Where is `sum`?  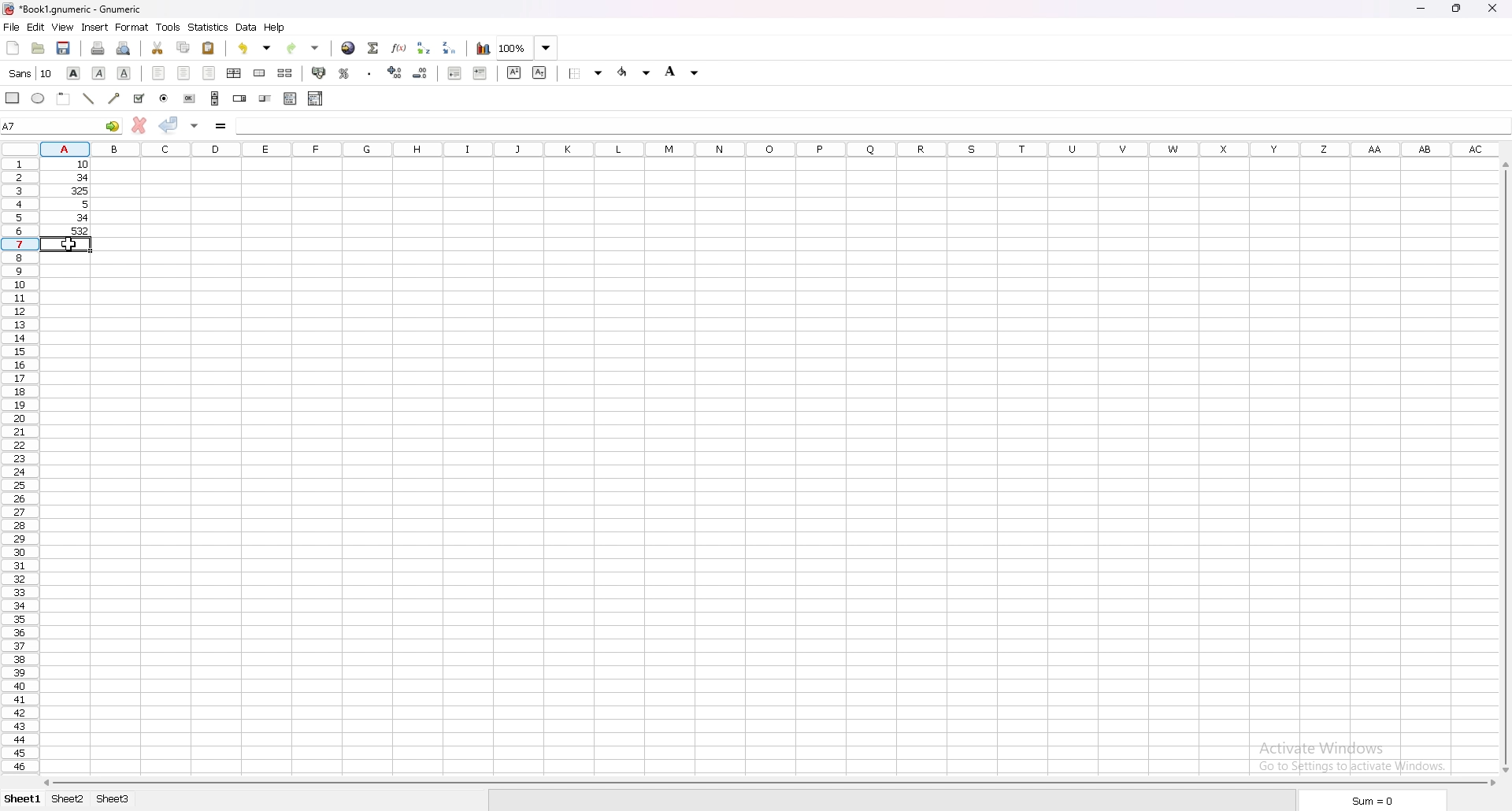 sum is located at coordinates (1373, 801).